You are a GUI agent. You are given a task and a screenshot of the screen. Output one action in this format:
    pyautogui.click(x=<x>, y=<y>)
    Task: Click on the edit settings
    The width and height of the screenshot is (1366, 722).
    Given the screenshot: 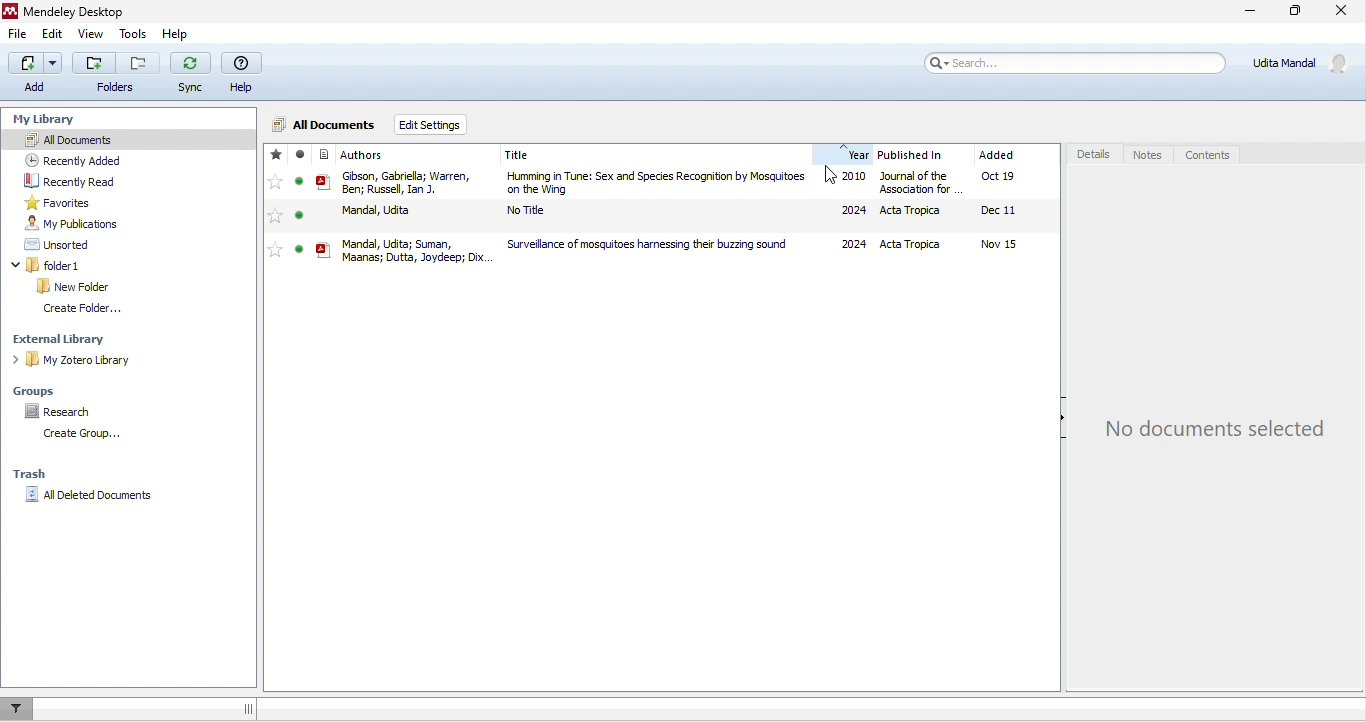 What is the action you would take?
    pyautogui.click(x=437, y=124)
    